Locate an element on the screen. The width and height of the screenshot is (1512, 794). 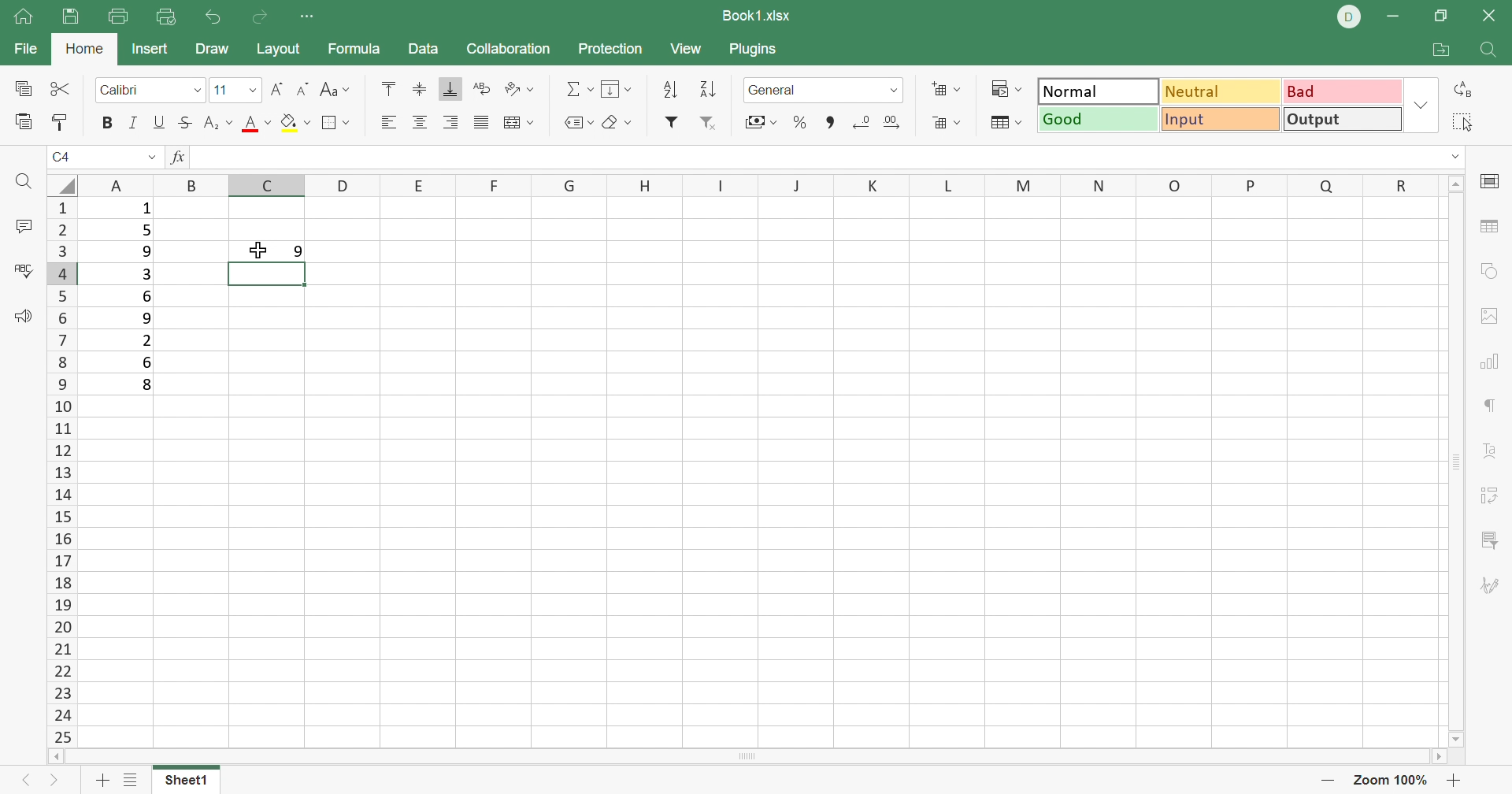
6 is located at coordinates (148, 297).